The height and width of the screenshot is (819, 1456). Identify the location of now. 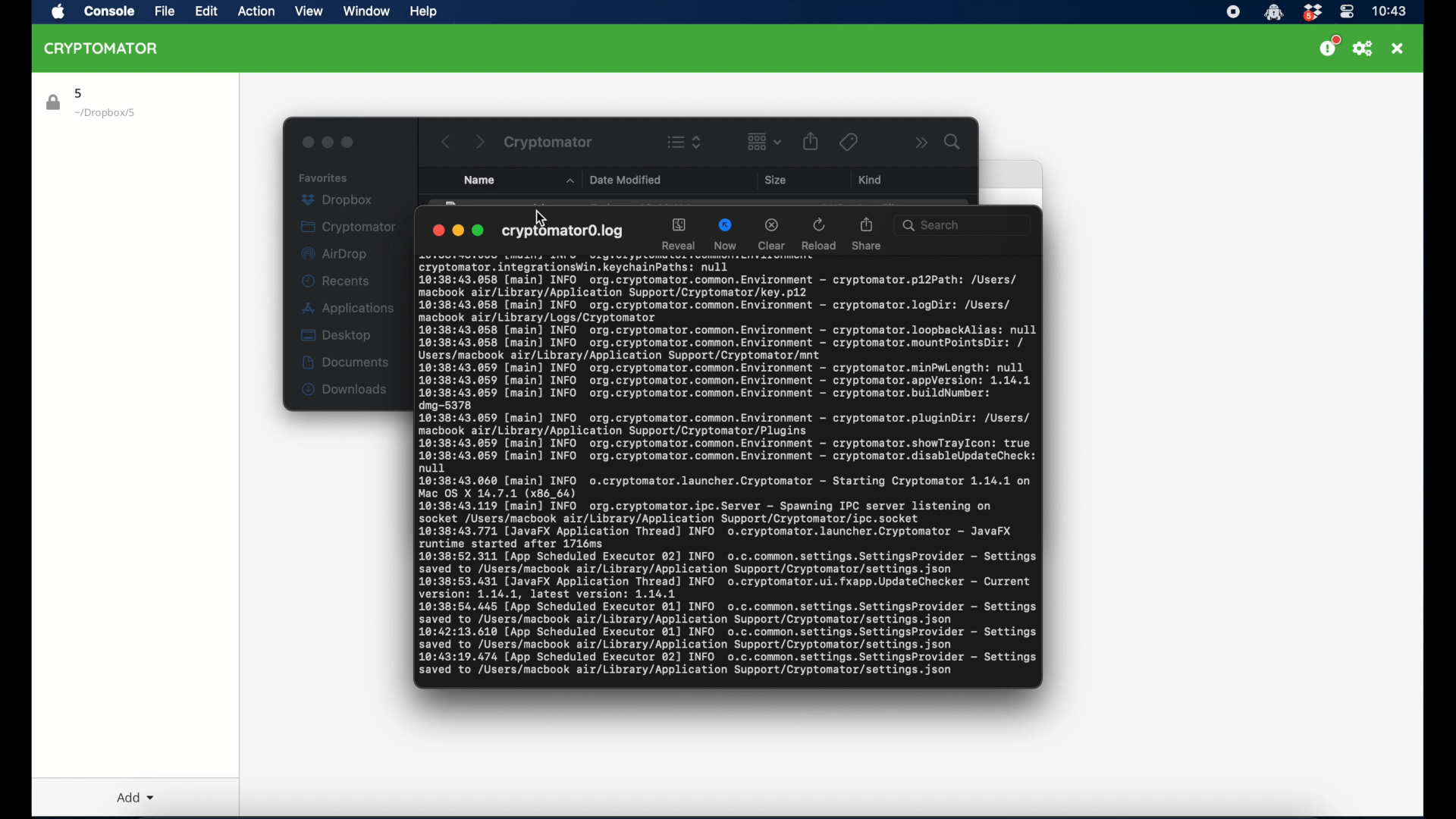
(725, 246).